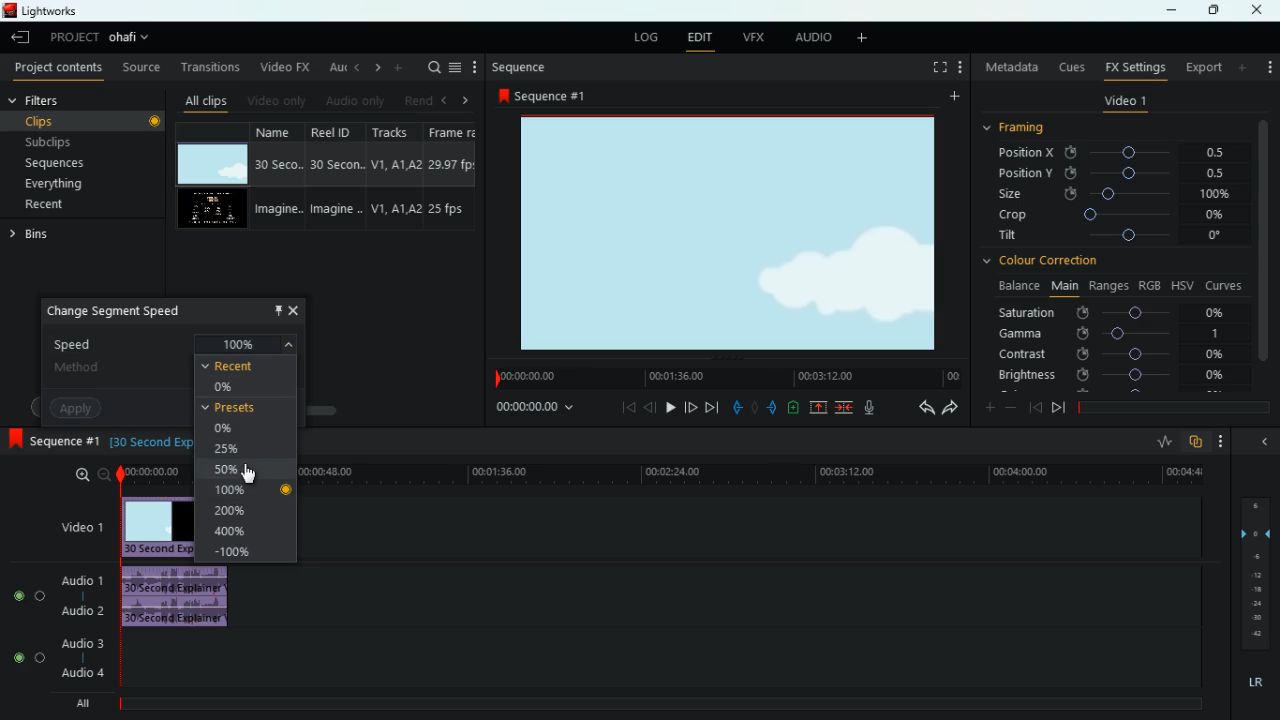 The width and height of the screenshot is (1280, 720). I want to click on all, so click(78, 702).